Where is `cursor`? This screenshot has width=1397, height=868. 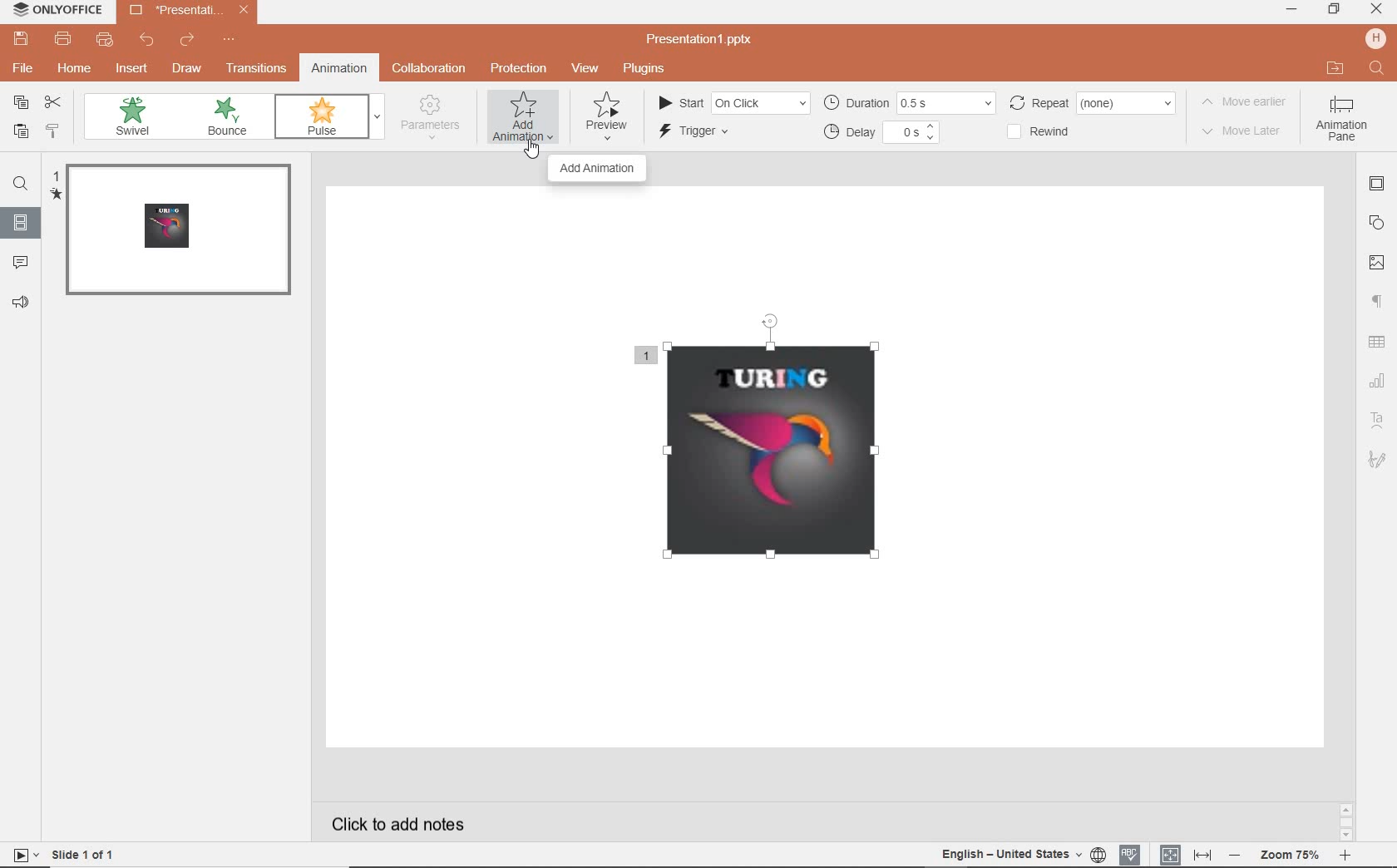
cursor is located at coordinates (531, 150).